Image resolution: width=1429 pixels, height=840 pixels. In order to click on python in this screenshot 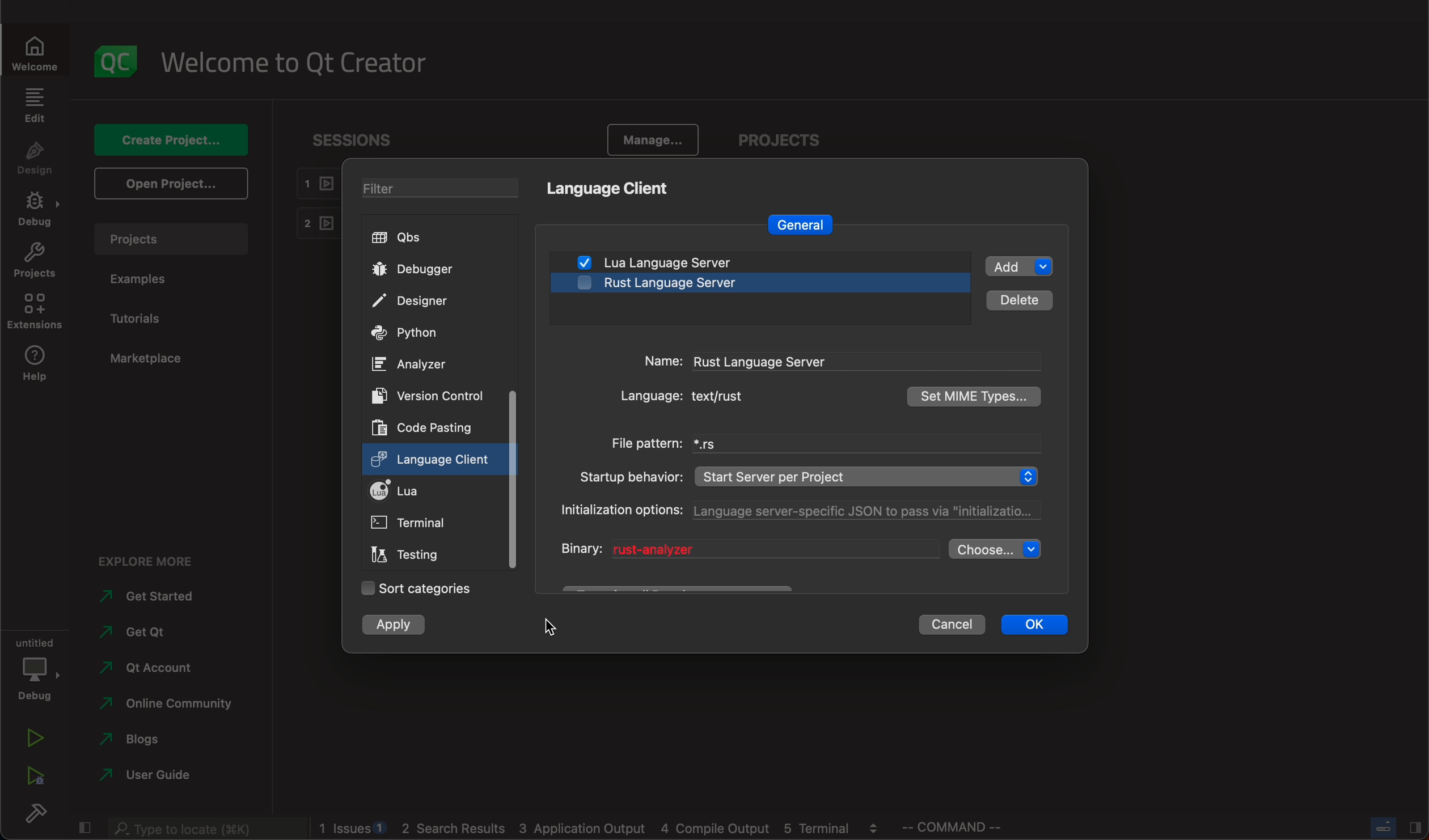, I will do `click(412, 333)`.